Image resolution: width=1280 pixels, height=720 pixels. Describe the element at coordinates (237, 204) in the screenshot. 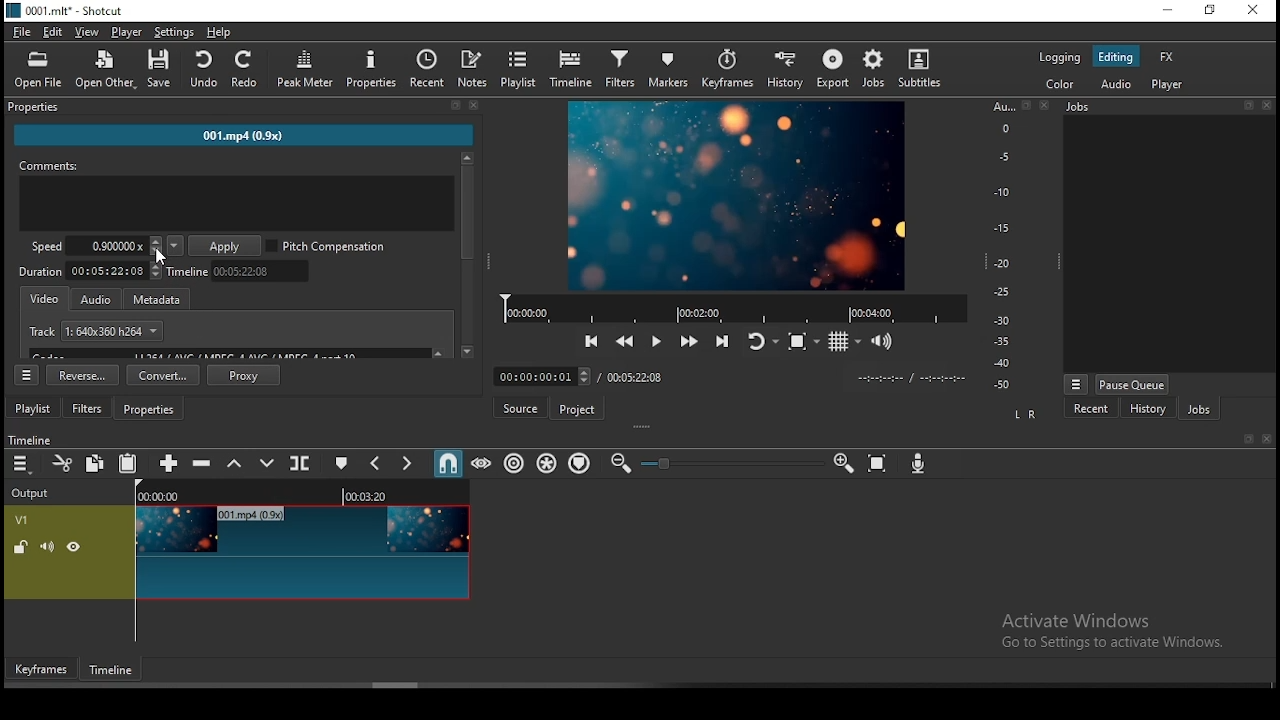

I see `comment box` at that location.